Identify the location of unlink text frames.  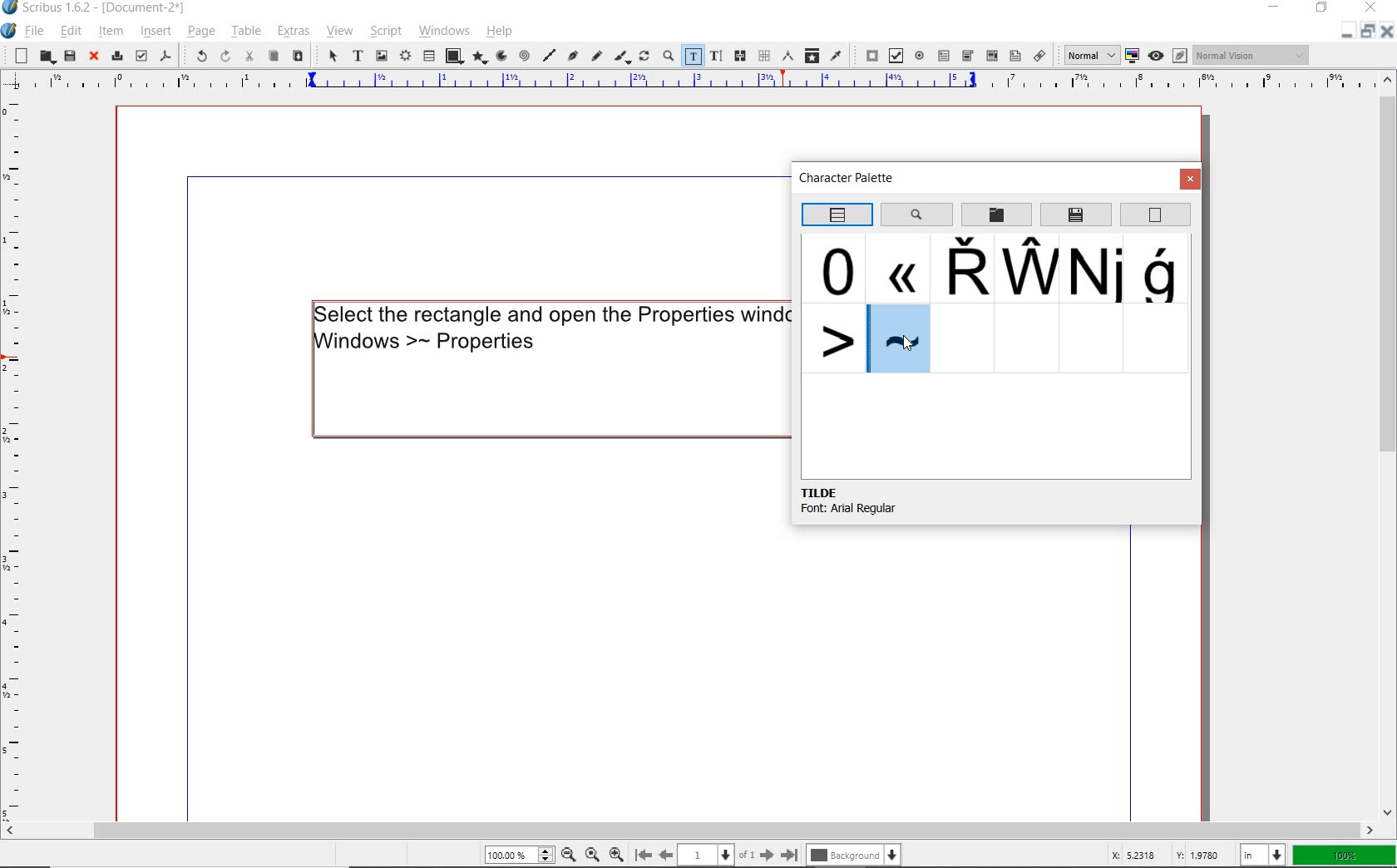
(763, 56).